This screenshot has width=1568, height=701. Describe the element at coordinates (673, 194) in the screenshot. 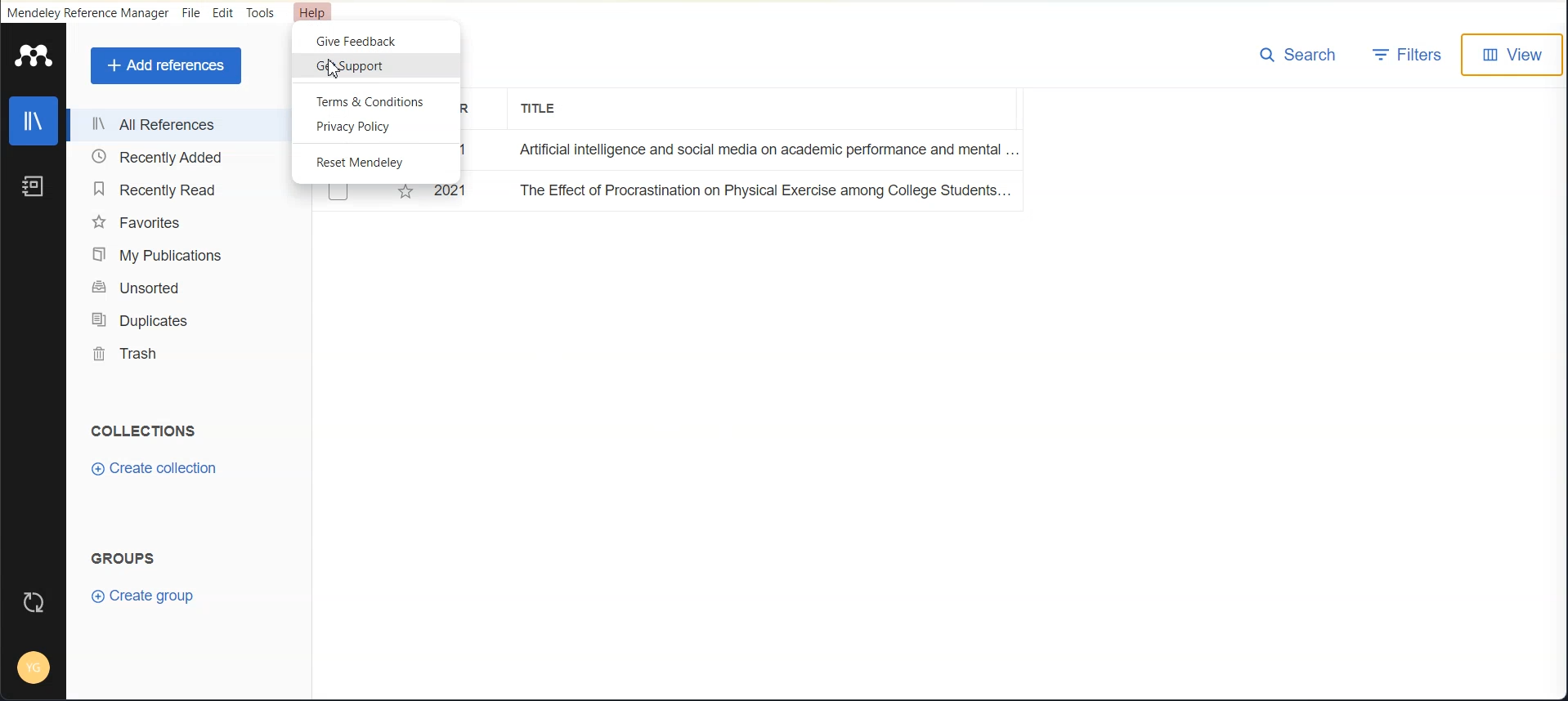

I see `The Effect of Procrastination on Physical Exercise among College Students...` at that location.